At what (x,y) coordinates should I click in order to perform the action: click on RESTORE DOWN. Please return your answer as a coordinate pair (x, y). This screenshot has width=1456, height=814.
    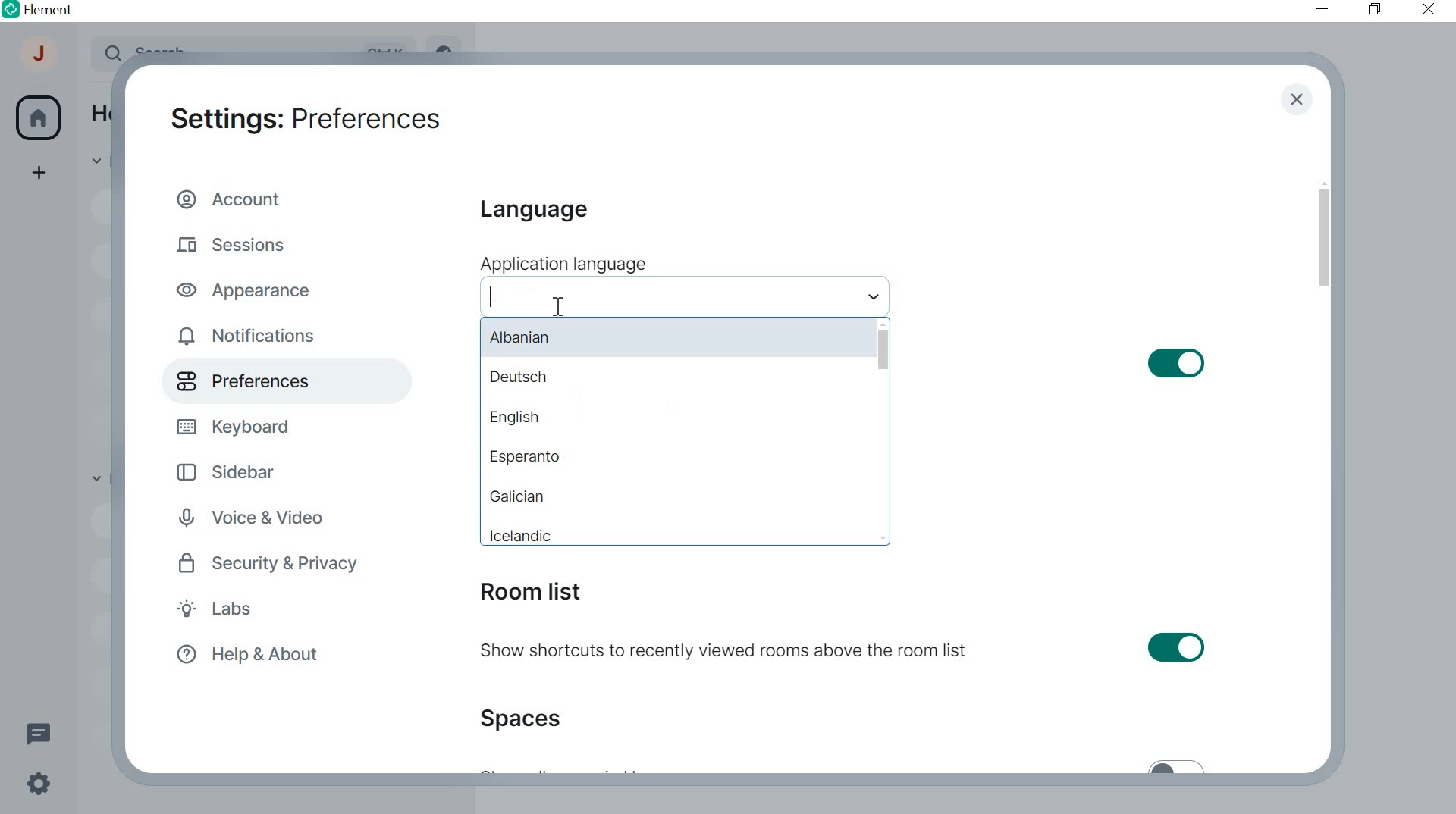
    Looking at the image, I should click on (1374, 10).